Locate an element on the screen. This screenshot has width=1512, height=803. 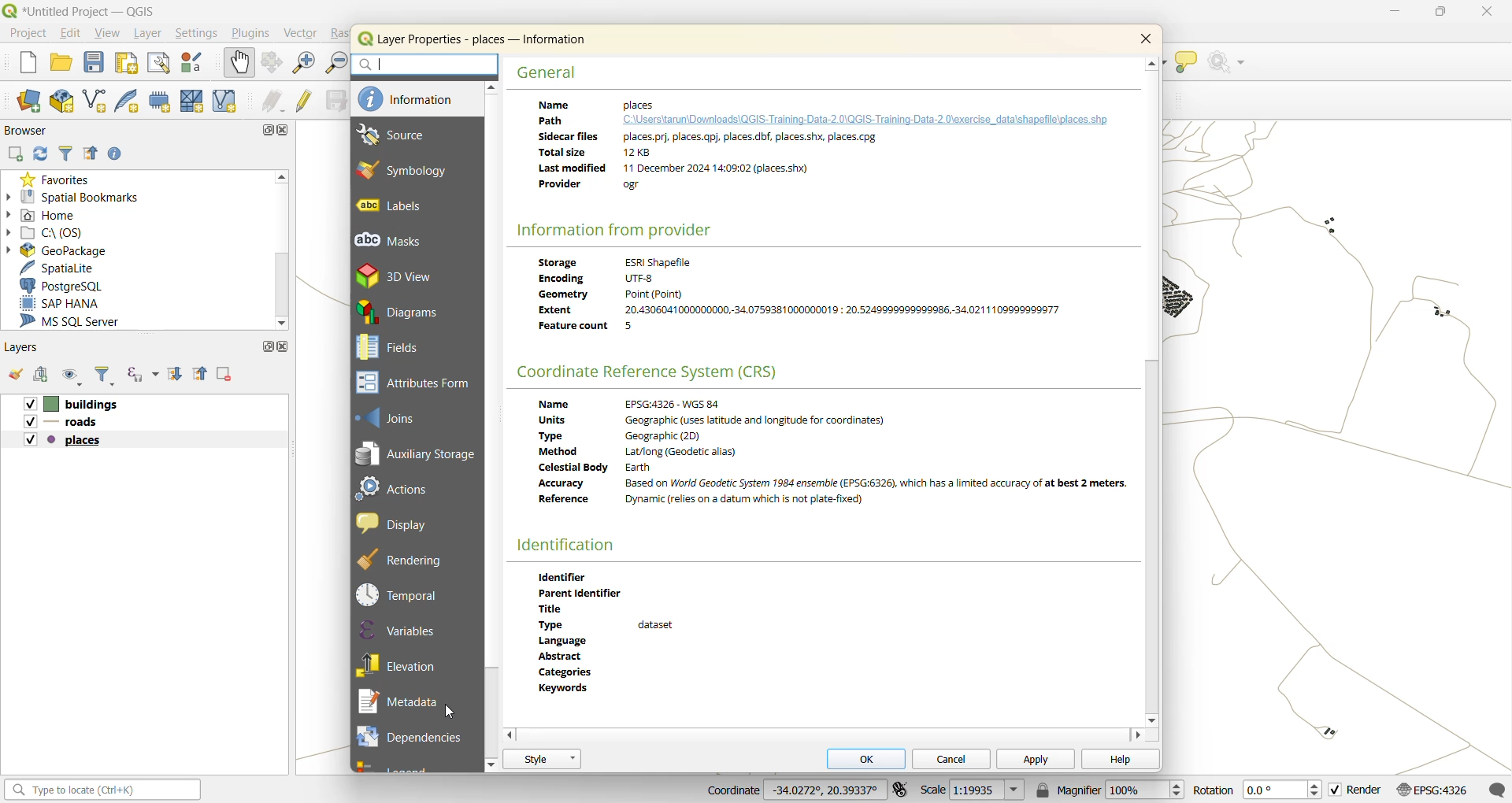
magnifier is located at coordinates (1110, 790).